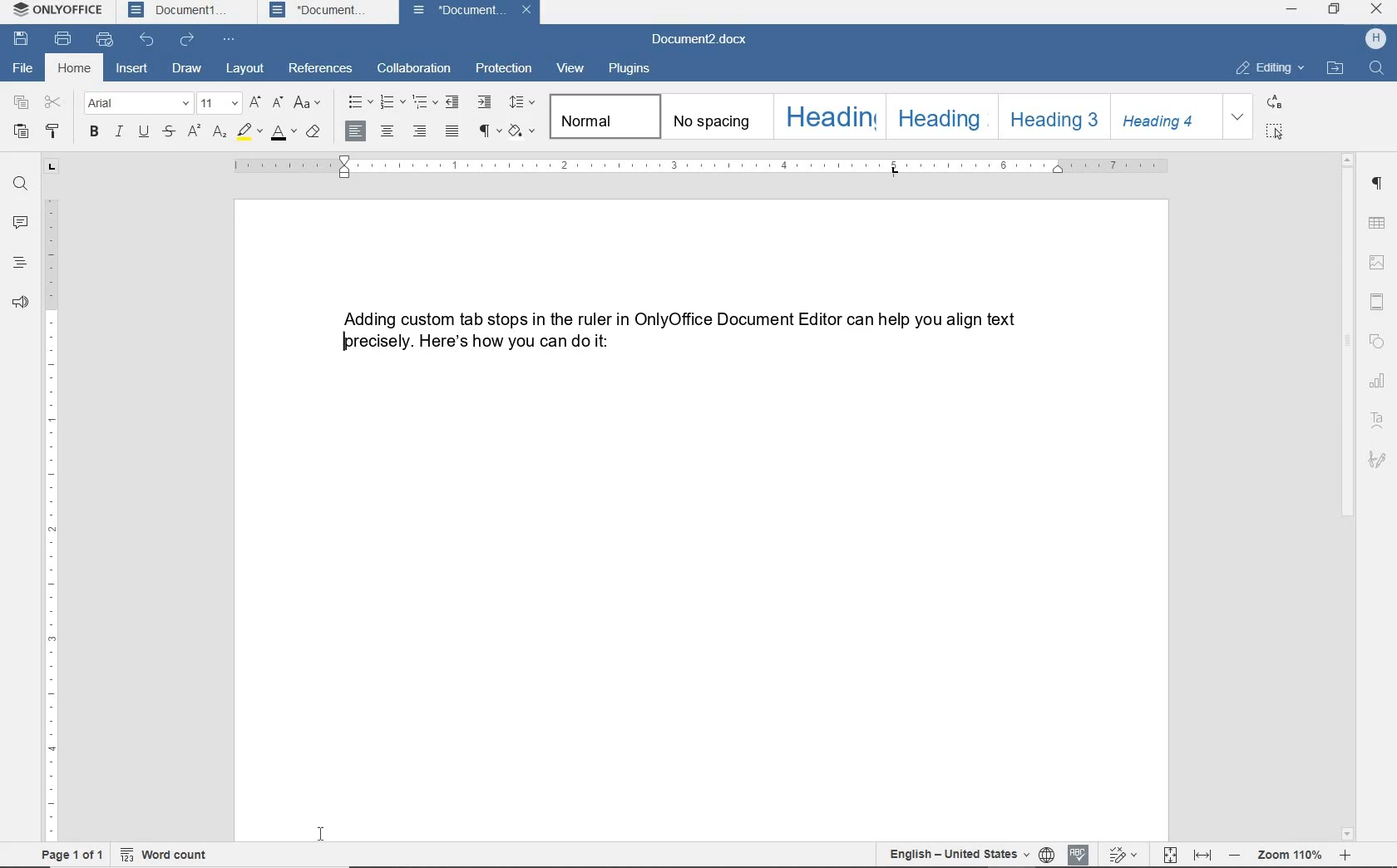 The width and height of the screenshot is (1397, 868). I want to click on word count, so click(164, 854).